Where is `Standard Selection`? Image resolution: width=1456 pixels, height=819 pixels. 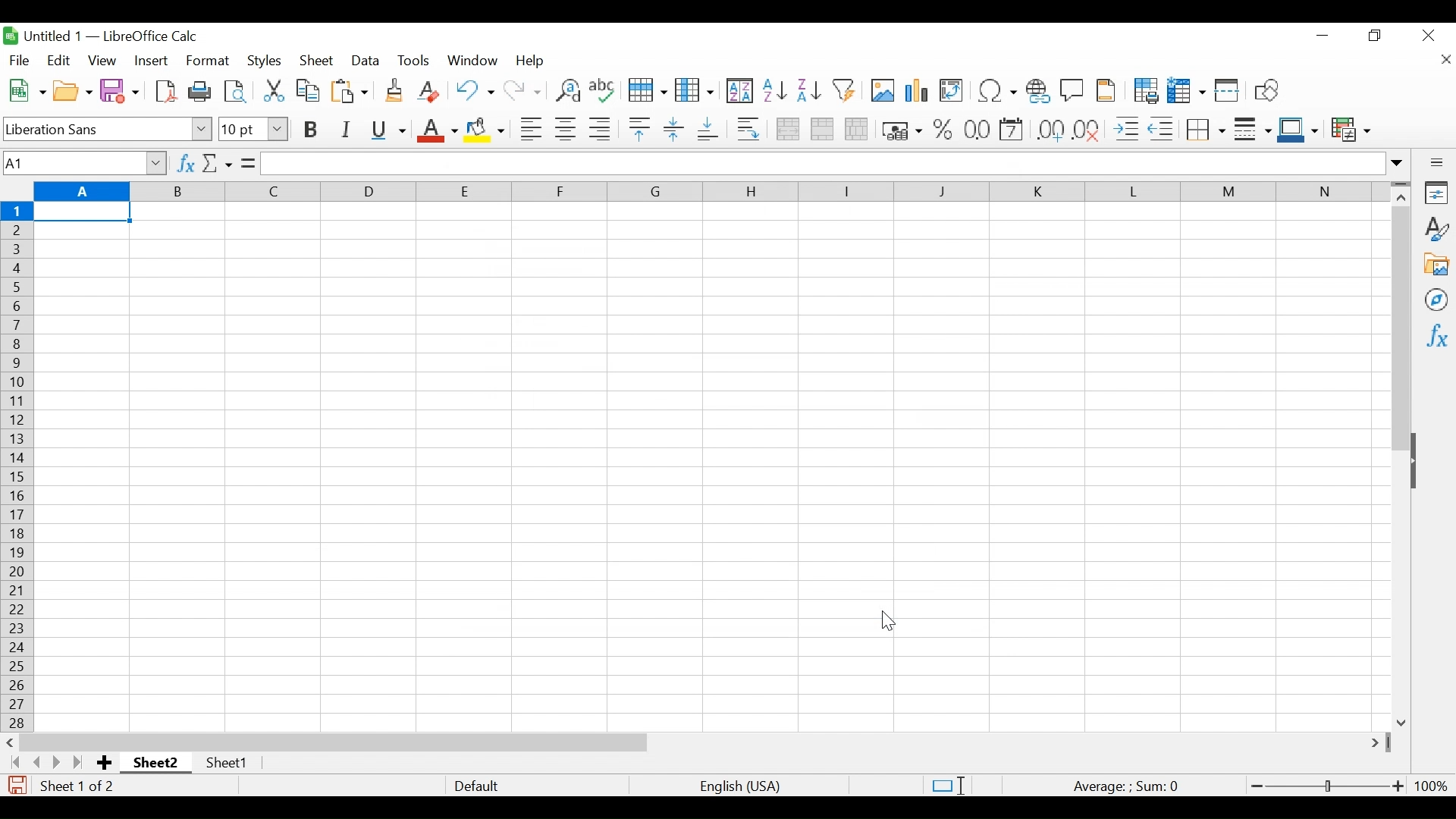
Standard Selection is located at coordinates (950, 783).